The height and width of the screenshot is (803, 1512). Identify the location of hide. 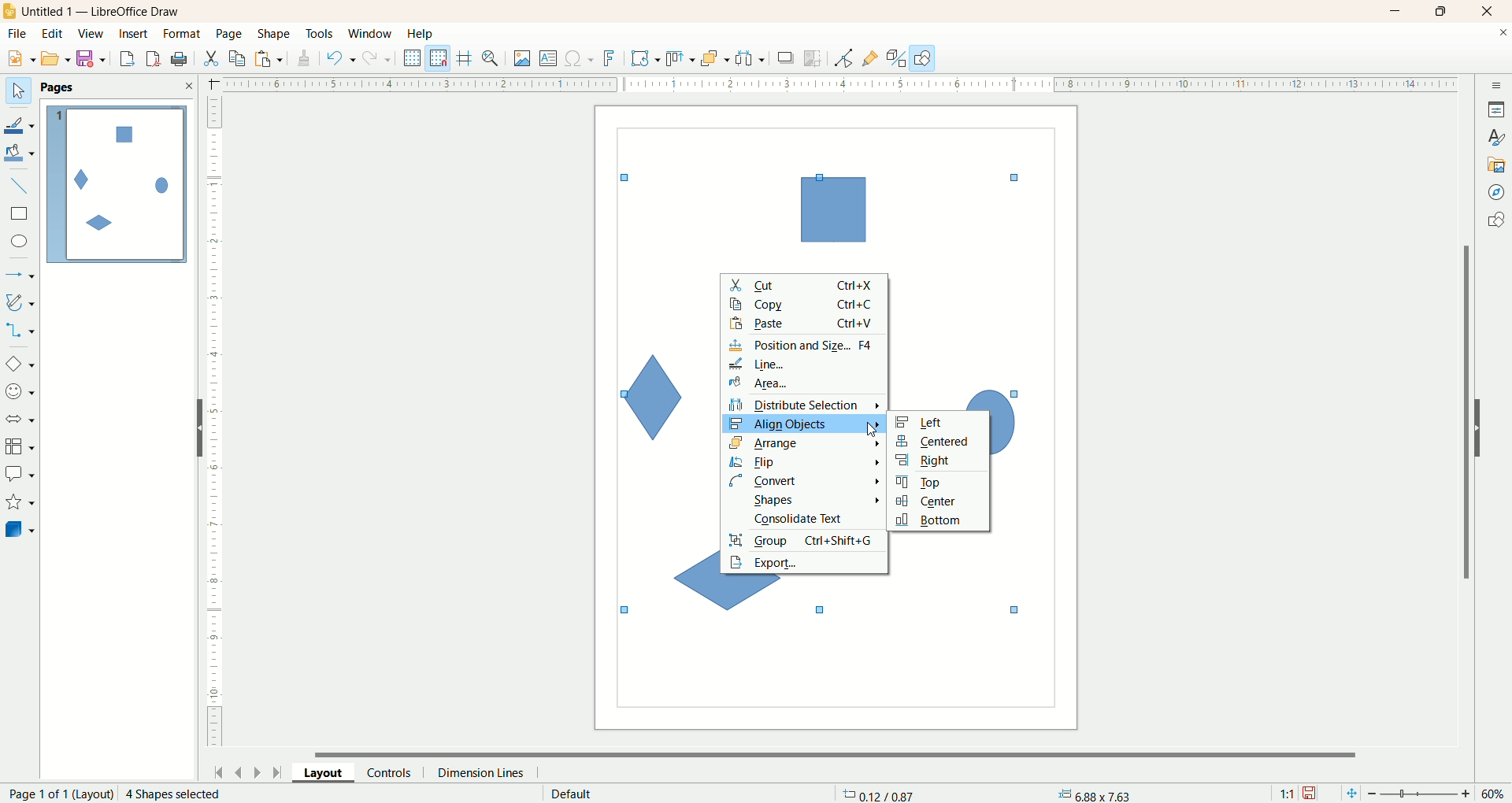
(193, 431).